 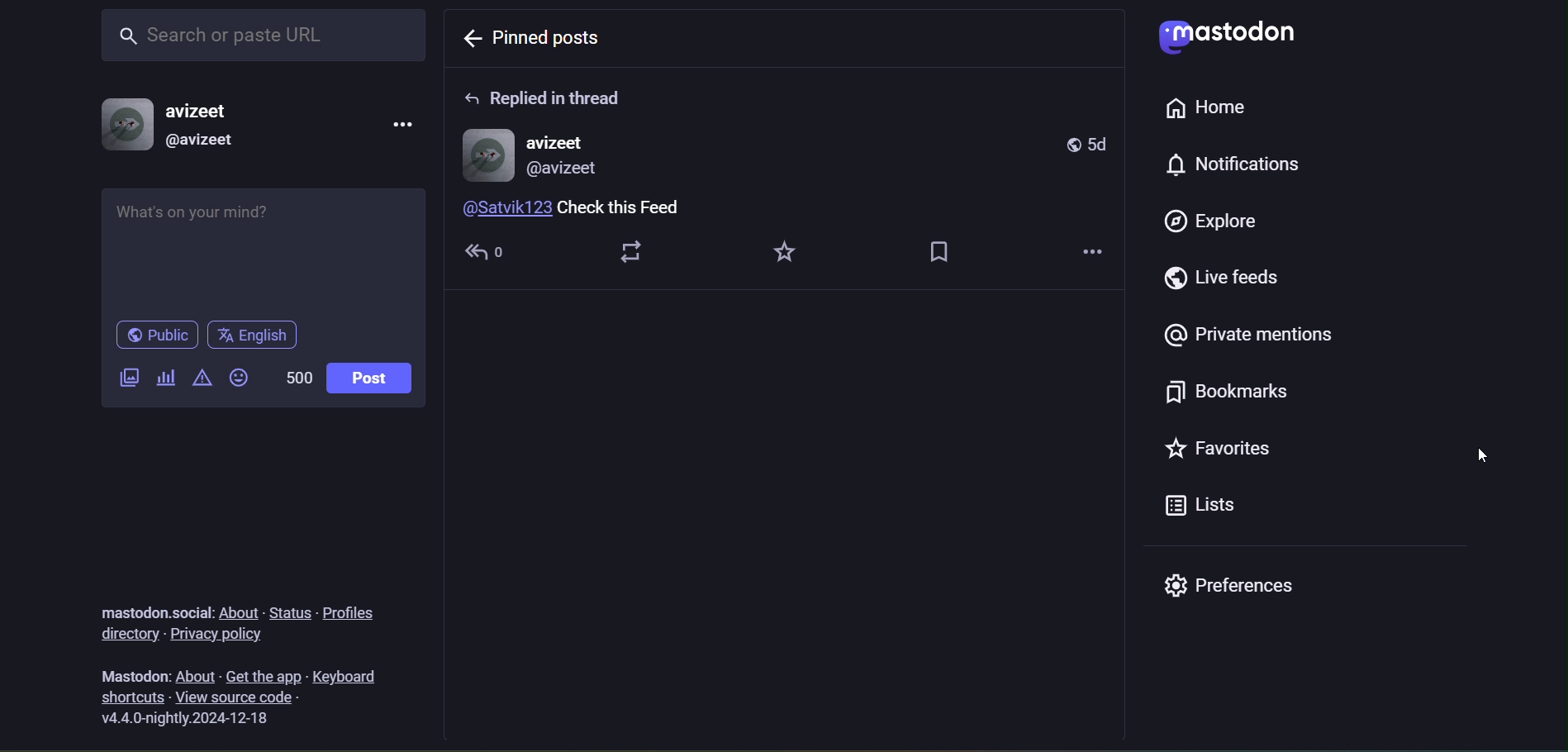 What do you see at coordinates (404, 122) in the screenshot?
I see `more` at bounding box center [404, 122].